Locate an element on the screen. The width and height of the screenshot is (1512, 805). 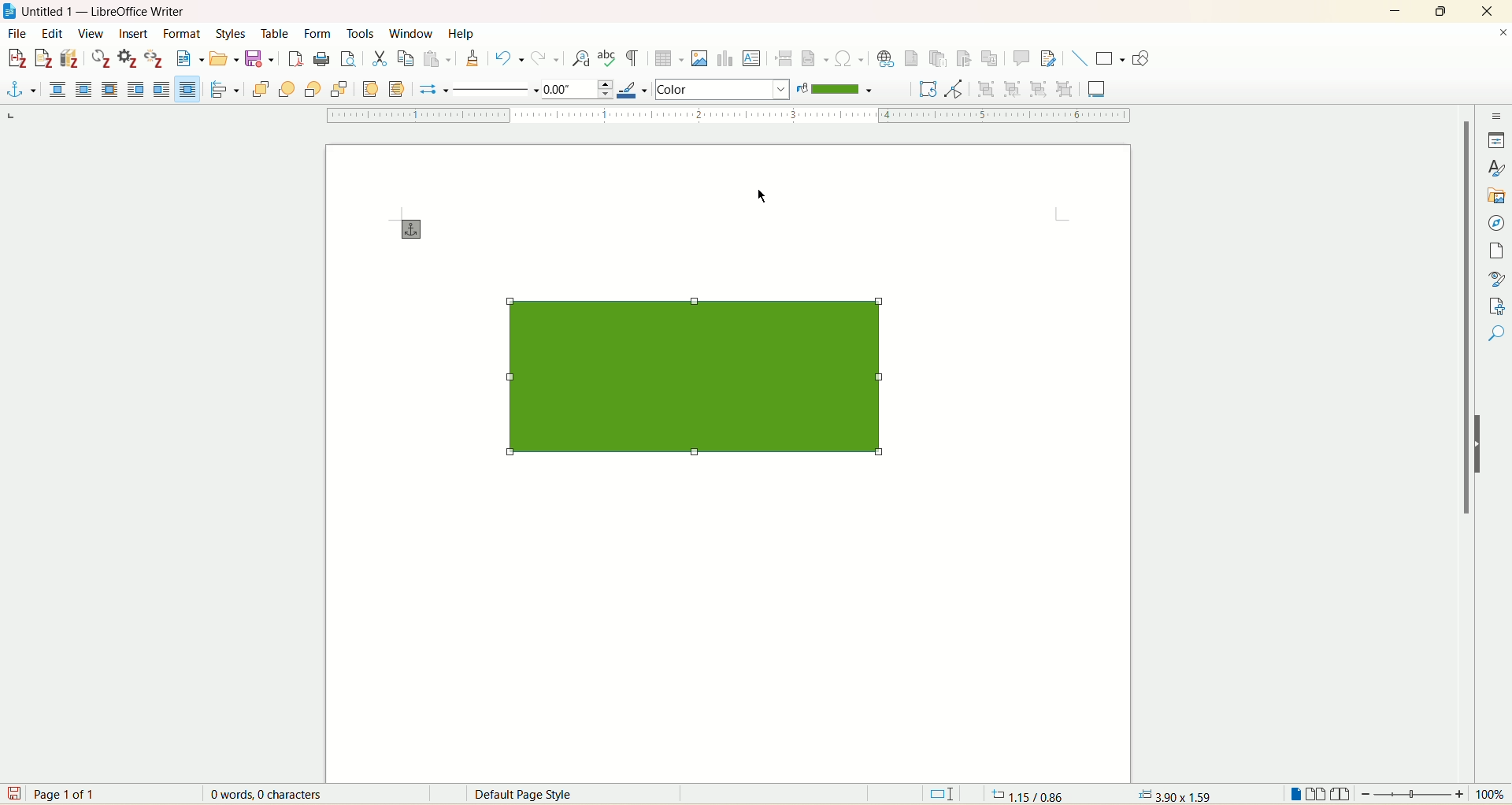
insert chart is located at coordinates (725, 60).